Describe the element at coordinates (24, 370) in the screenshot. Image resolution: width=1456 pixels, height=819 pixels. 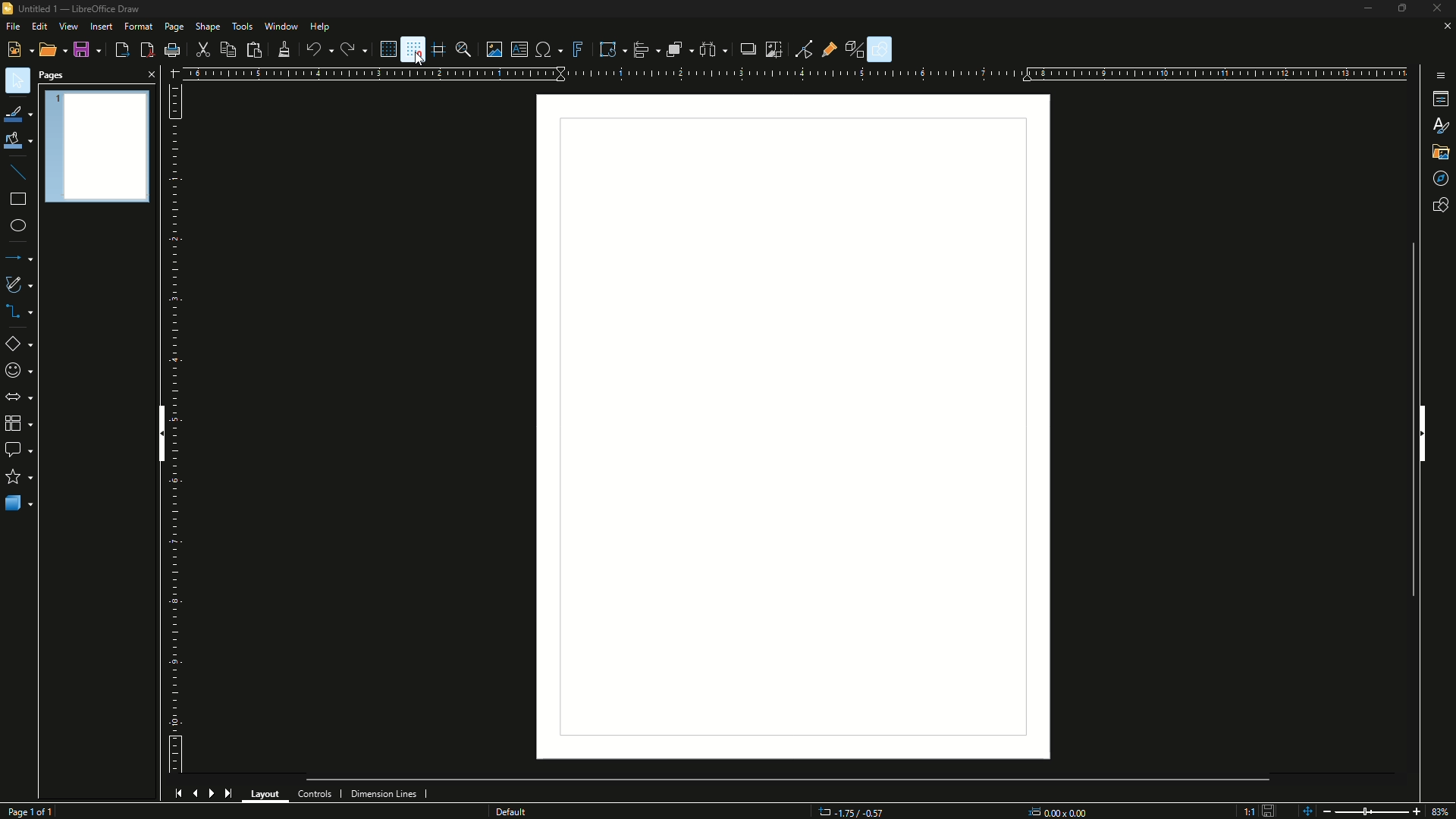
I see `Symbol shapes` at that location.